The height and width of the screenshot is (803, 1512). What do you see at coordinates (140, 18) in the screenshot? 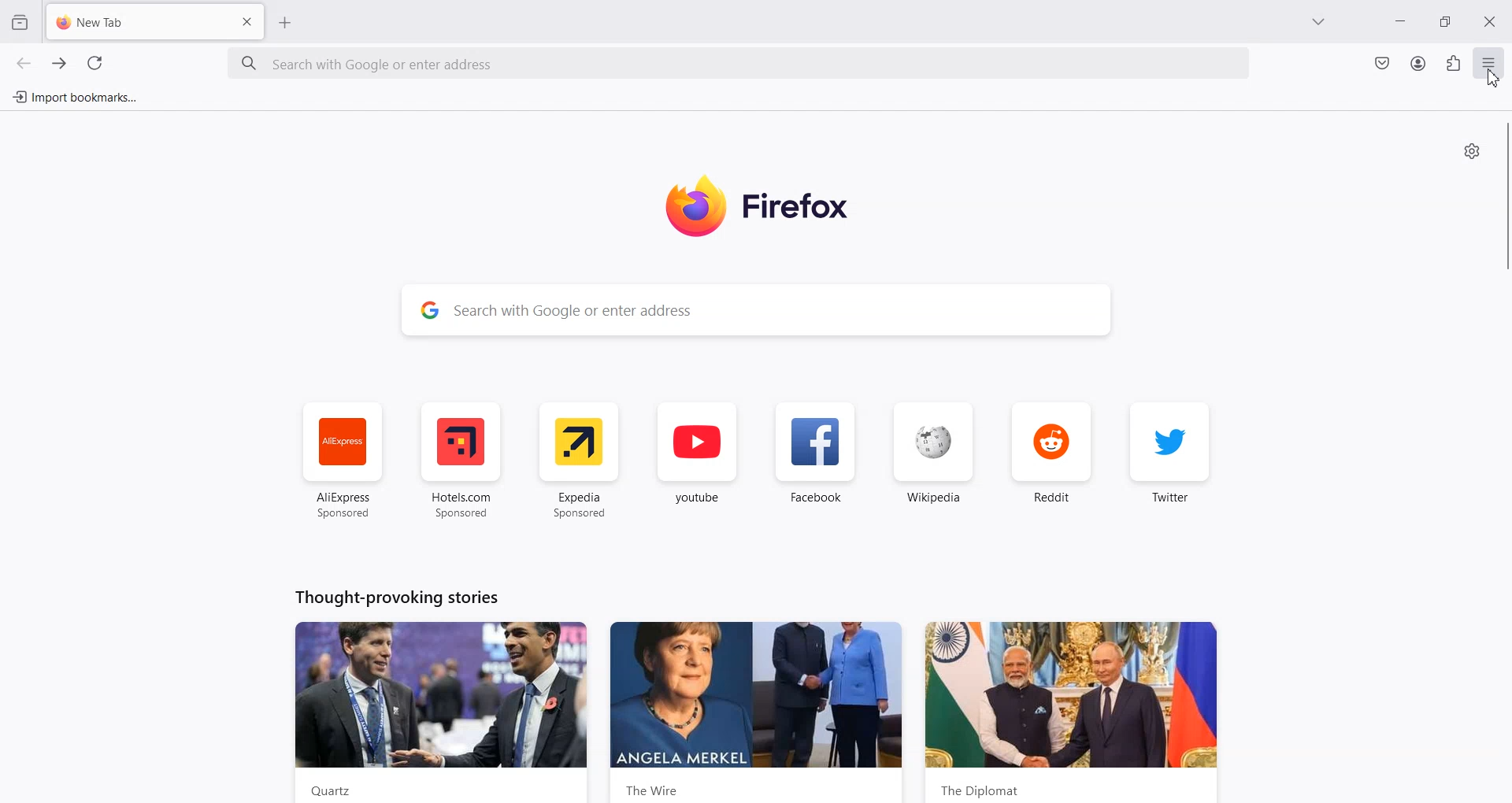
I see `New Tab` at bounding box center [140, 18].